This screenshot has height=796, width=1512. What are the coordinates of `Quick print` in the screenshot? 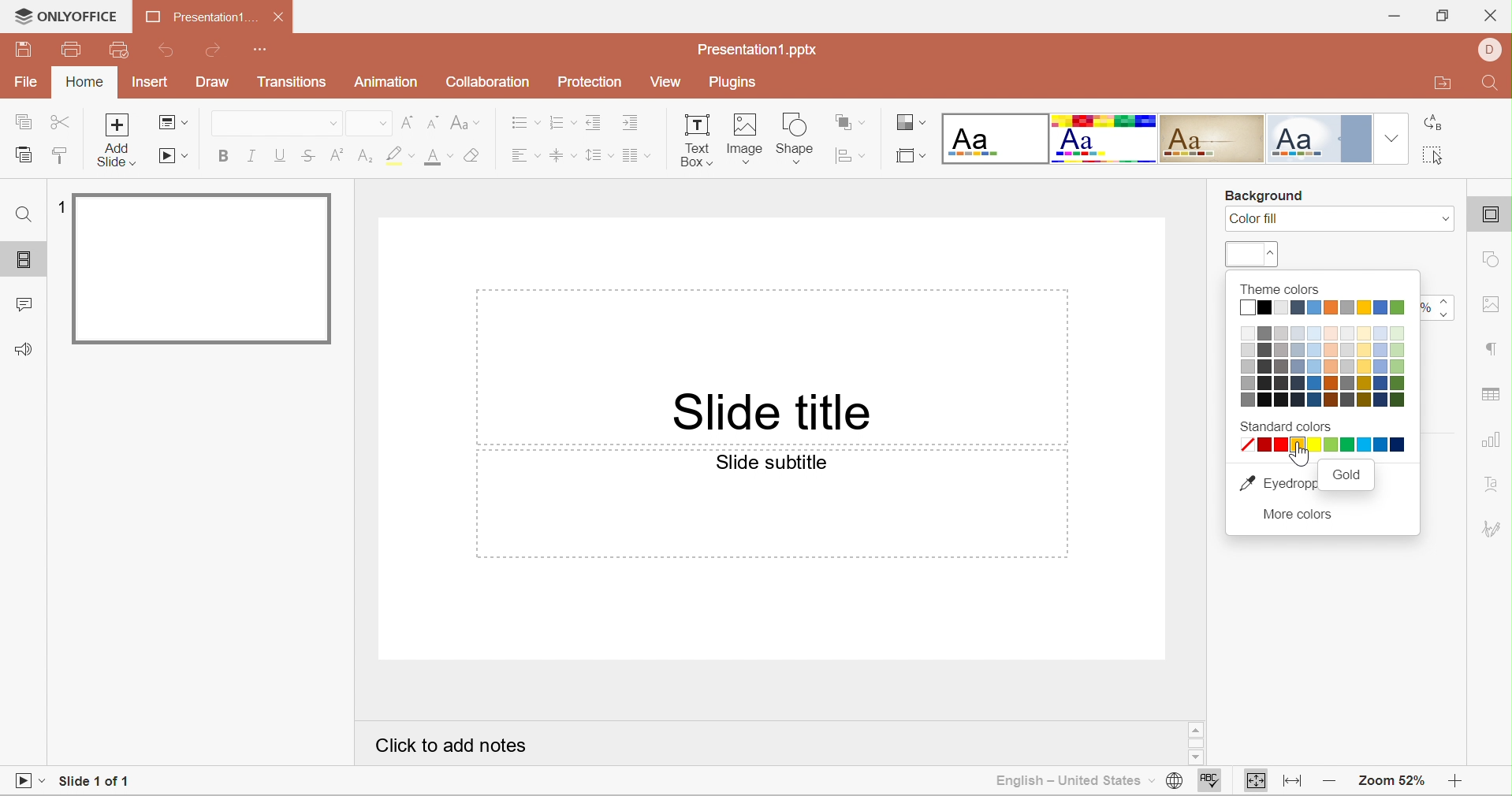 It's located at (117, 50).